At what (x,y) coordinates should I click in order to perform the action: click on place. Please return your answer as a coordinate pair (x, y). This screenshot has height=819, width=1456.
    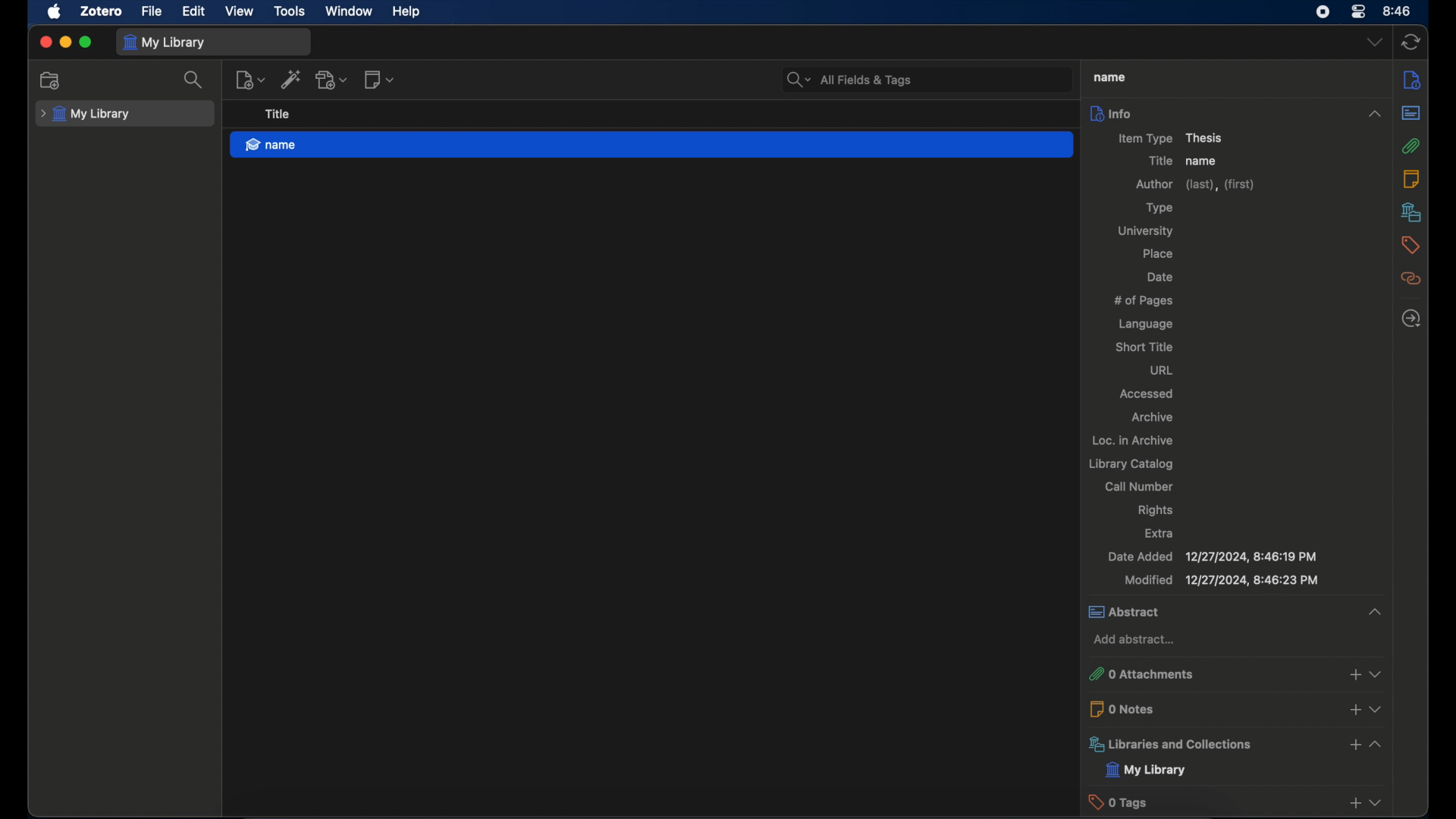
    Looking at the image, I should click on (1159, 255).